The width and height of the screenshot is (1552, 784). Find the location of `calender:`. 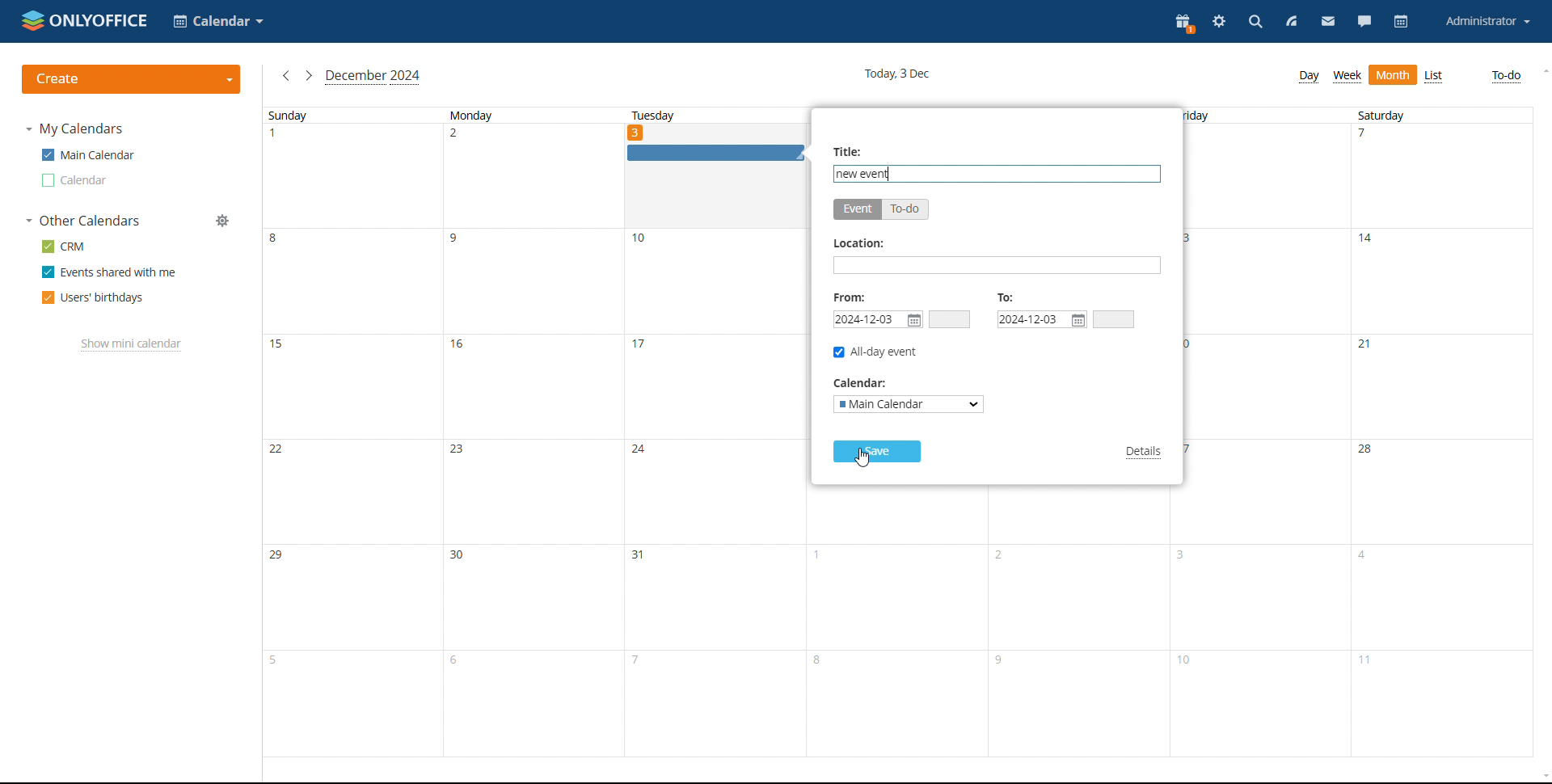

calender: is located at coordinates (866, 385).